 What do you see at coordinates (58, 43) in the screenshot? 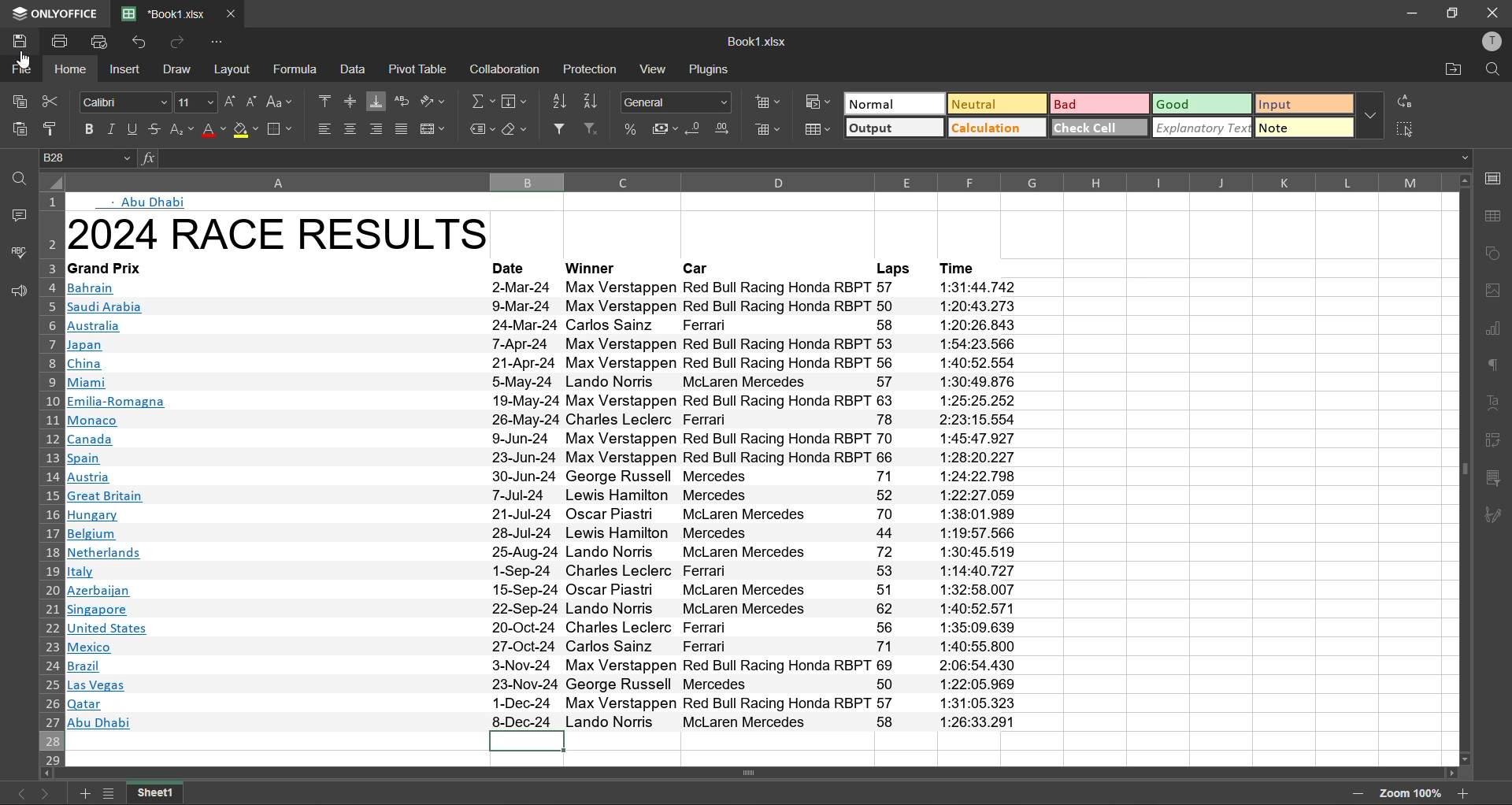
I see `print` at bounding box center [58, 43].